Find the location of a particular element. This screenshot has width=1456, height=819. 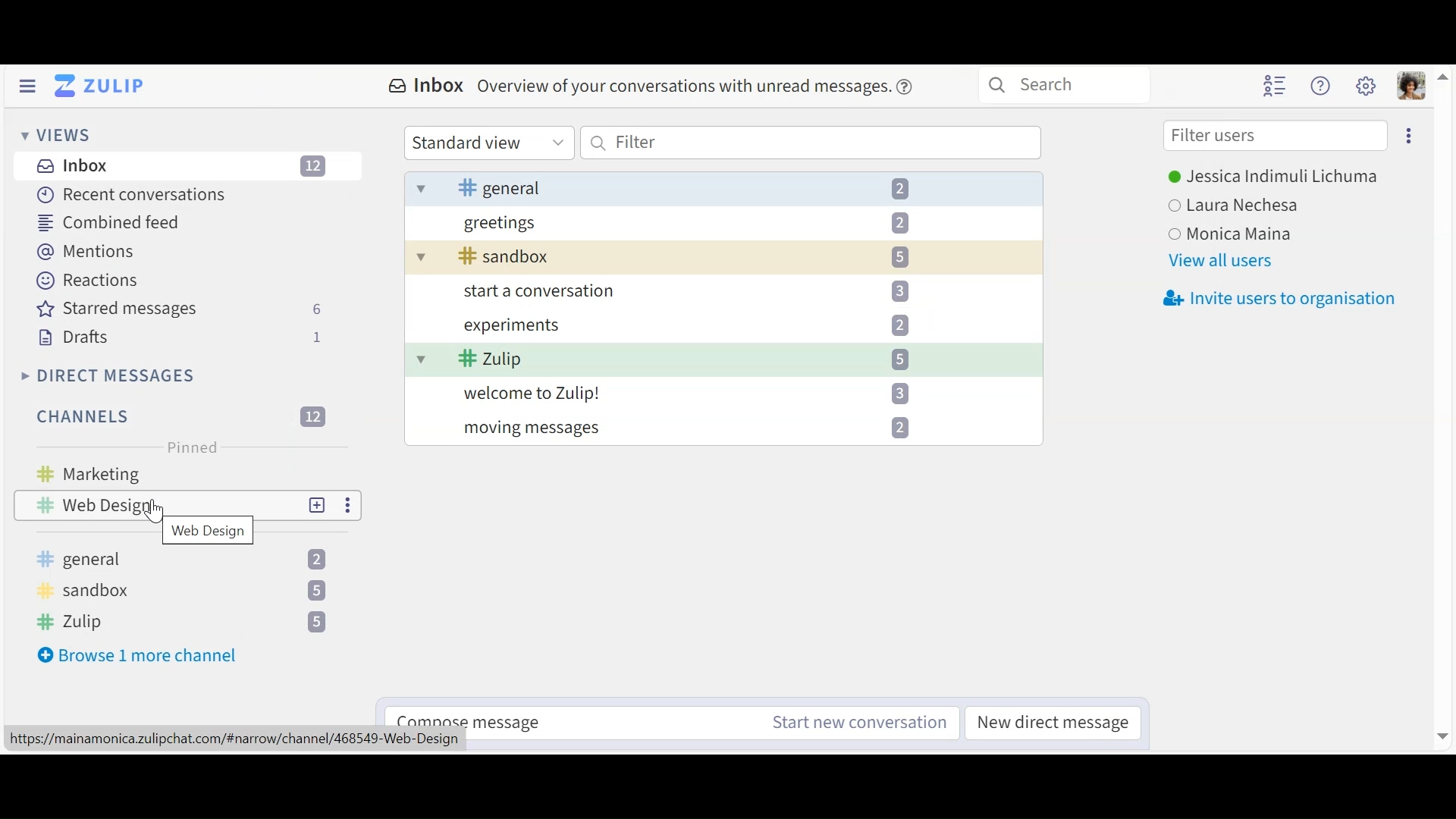

vertical scrollbar is located at coordinates (1446, 408).